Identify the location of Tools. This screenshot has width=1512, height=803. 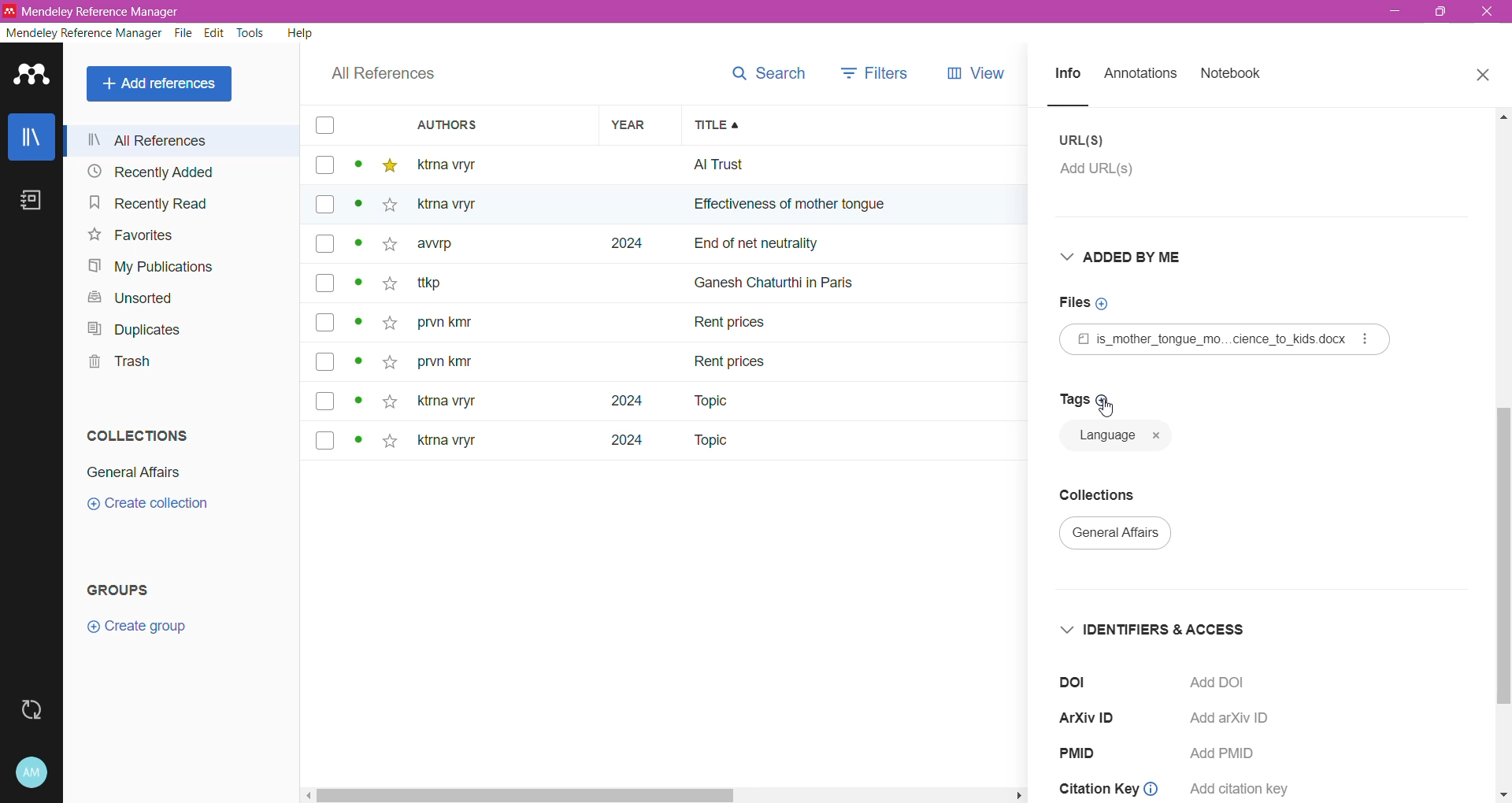
(252, 33).